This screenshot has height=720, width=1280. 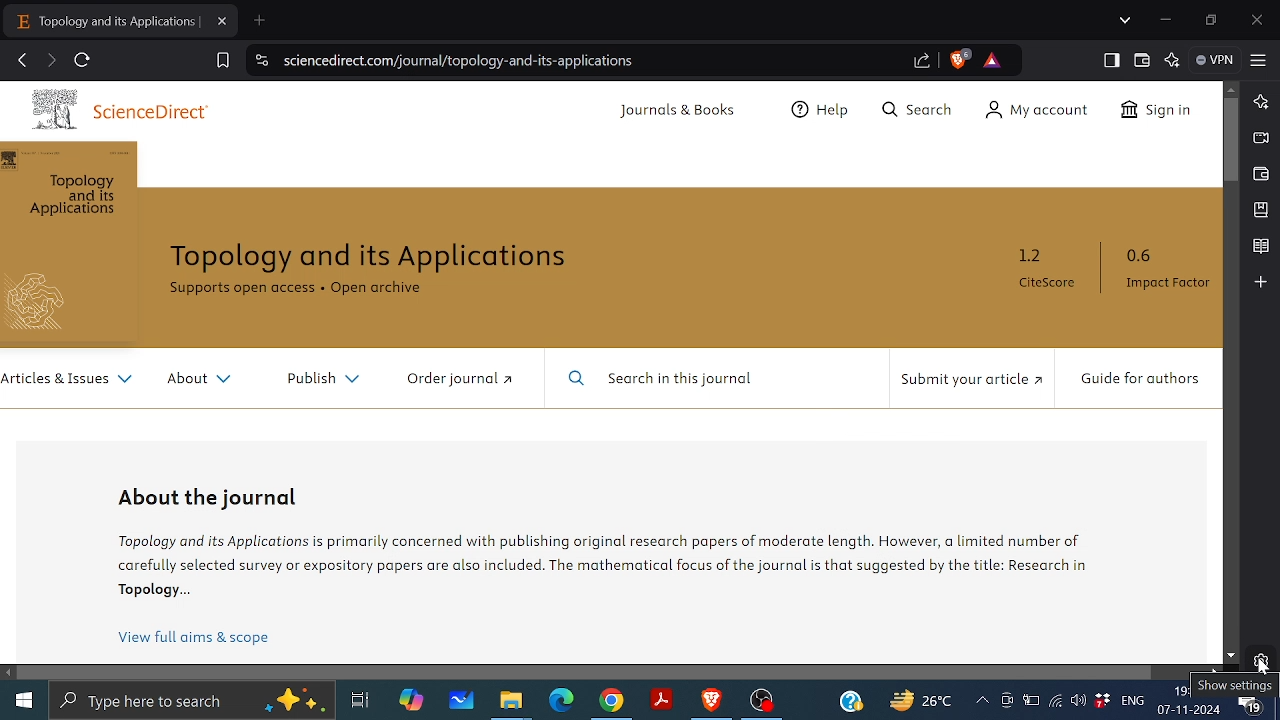 What do you see at coordinates (915, 701) in the screenshot?
I see `26° C` at bounding box center [915, 701].